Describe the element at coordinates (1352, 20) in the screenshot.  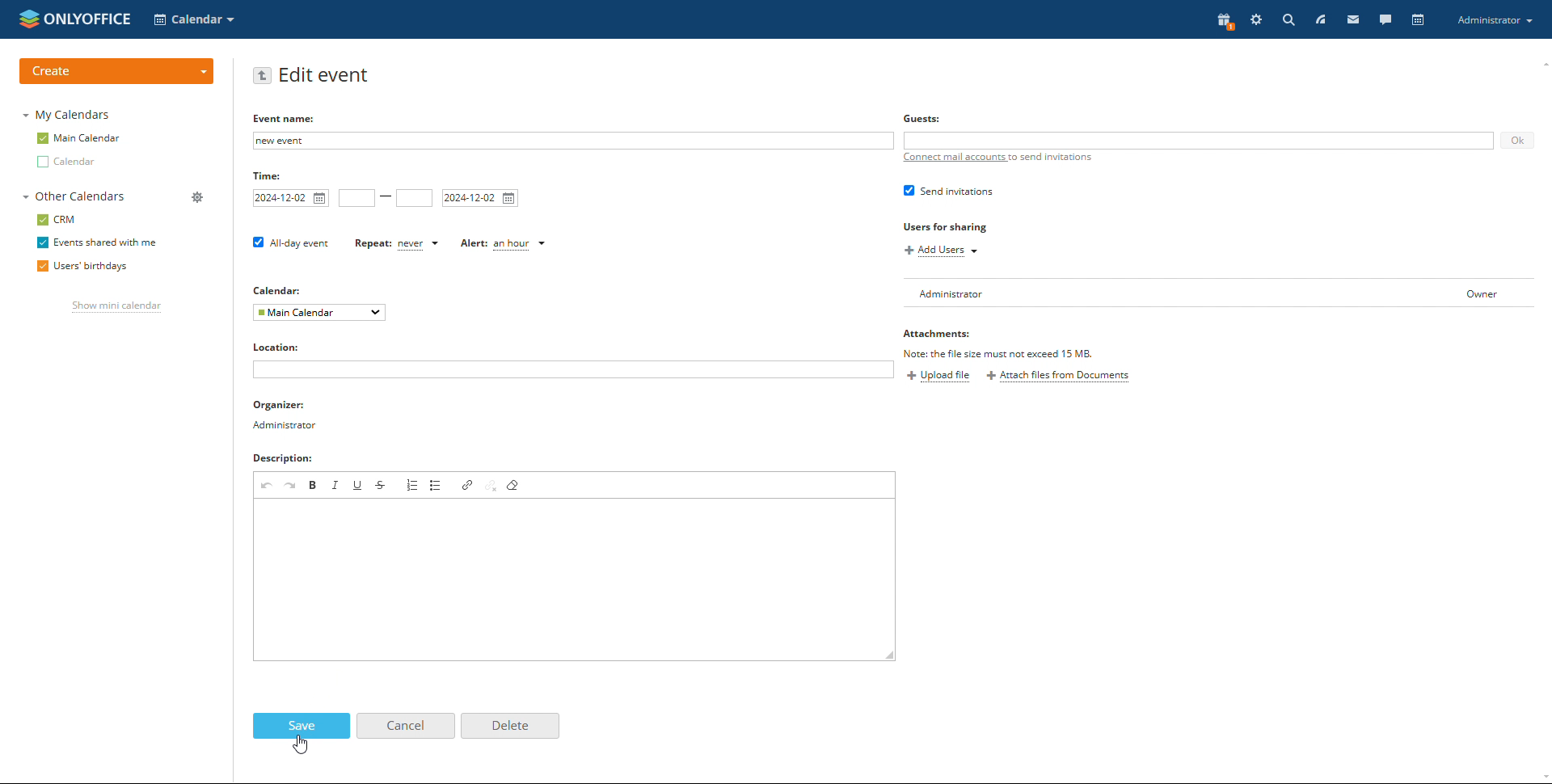
I see `mail` at that location.